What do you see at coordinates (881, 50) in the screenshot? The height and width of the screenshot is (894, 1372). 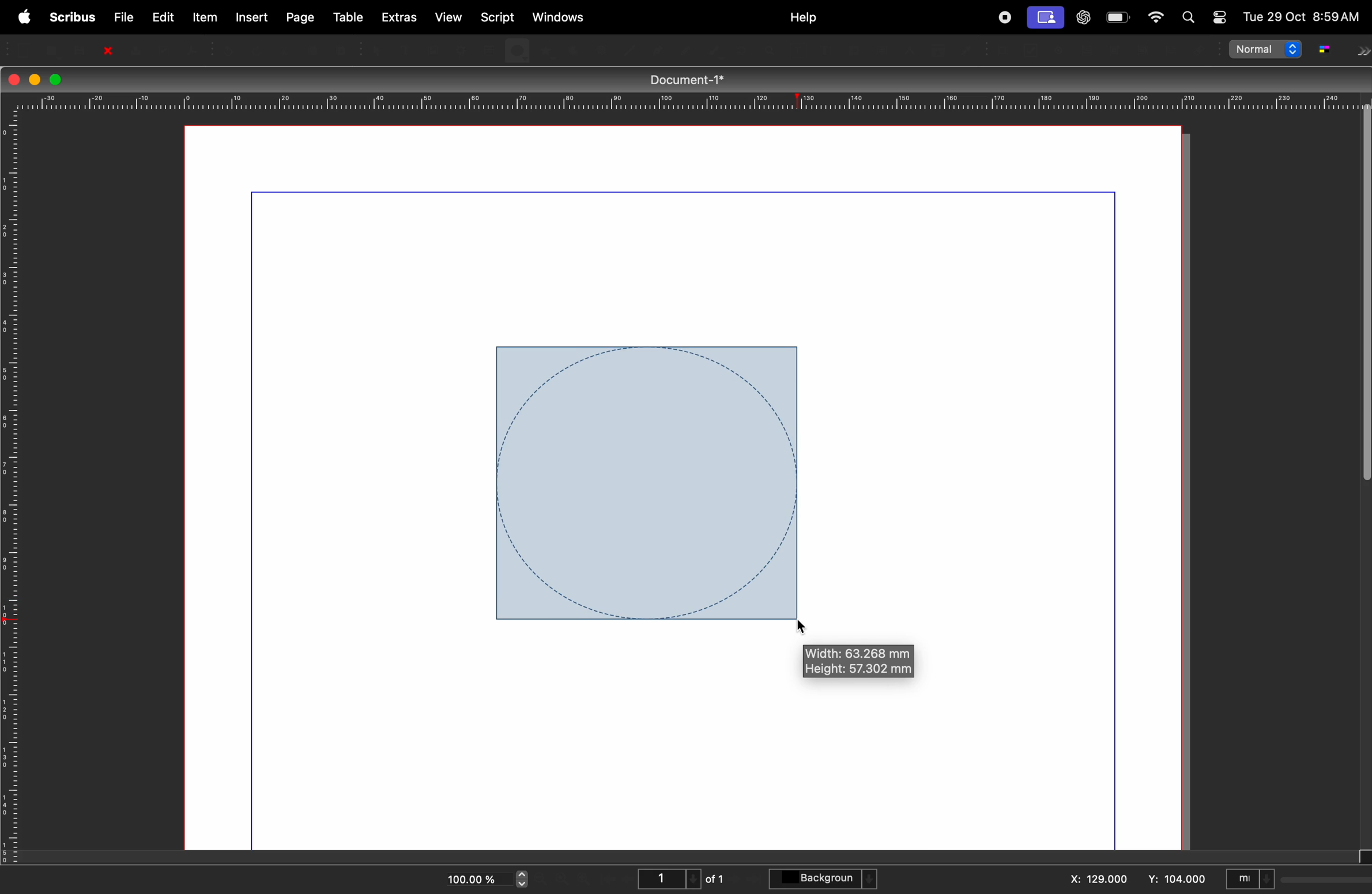 I see `Unlink text frames` at bounding box center [881, 50].